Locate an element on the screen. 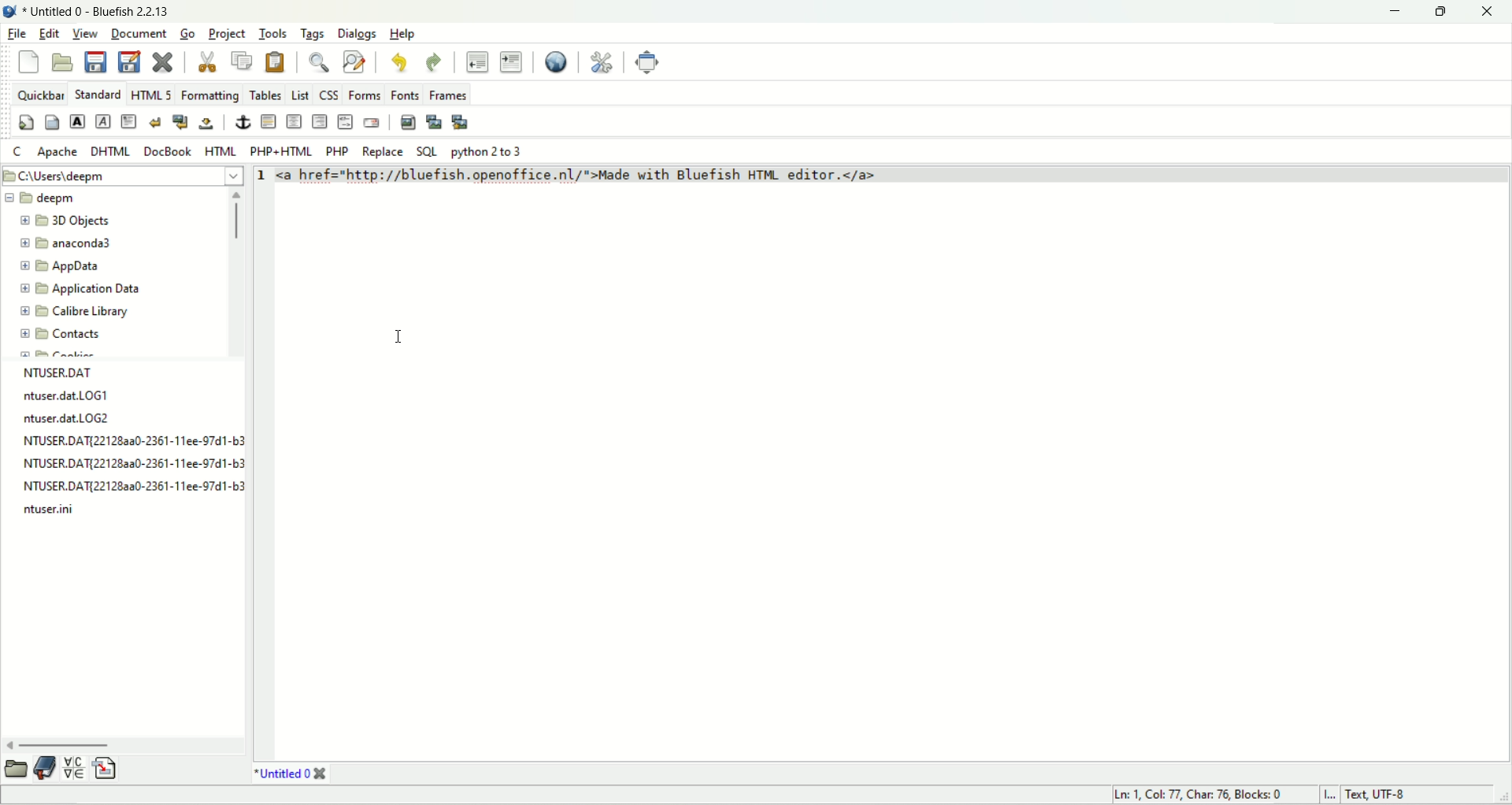  standard is located at coordinates (98, 93).